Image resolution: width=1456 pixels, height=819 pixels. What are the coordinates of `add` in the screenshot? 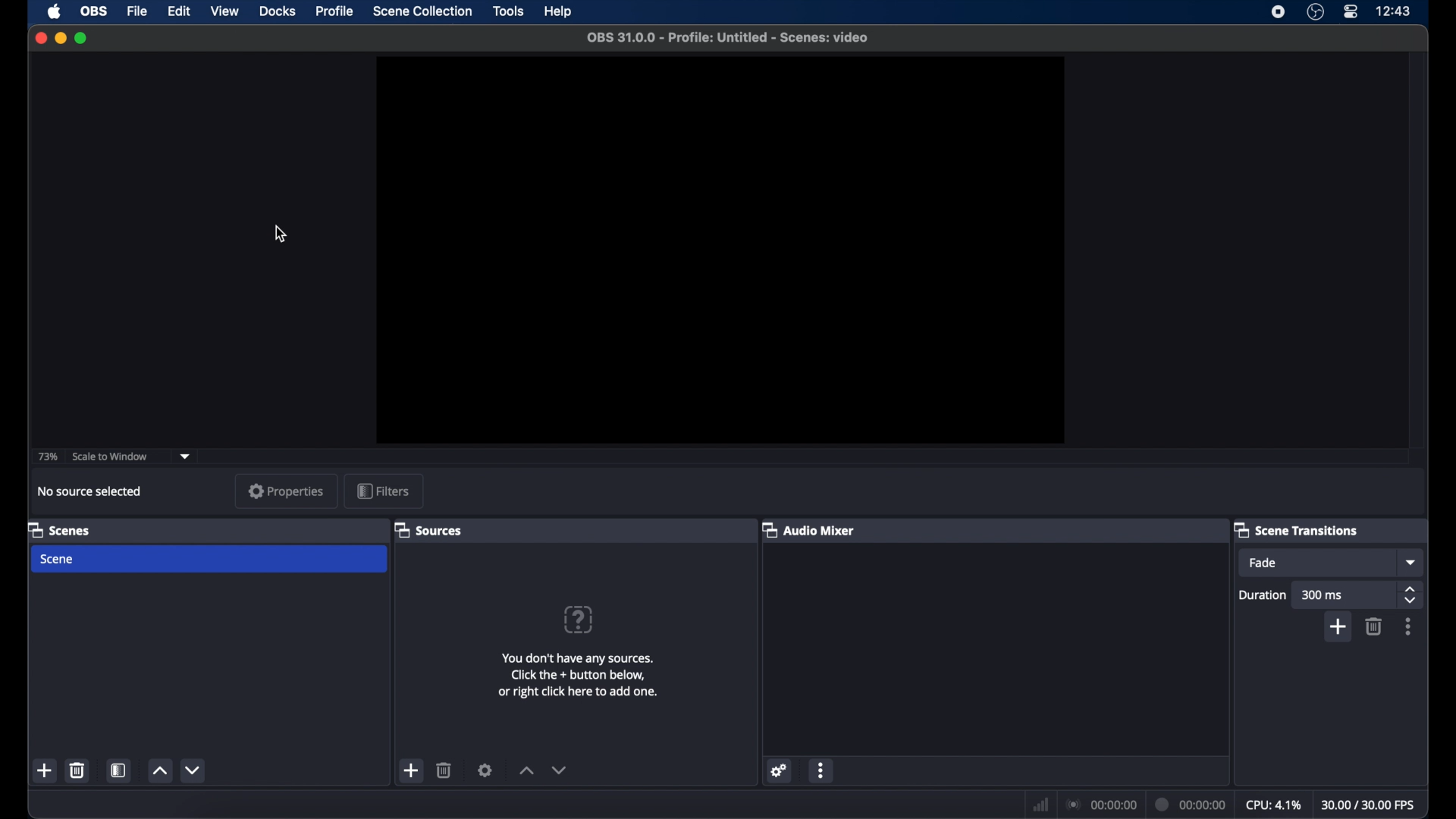 It's located at (1337, 626).